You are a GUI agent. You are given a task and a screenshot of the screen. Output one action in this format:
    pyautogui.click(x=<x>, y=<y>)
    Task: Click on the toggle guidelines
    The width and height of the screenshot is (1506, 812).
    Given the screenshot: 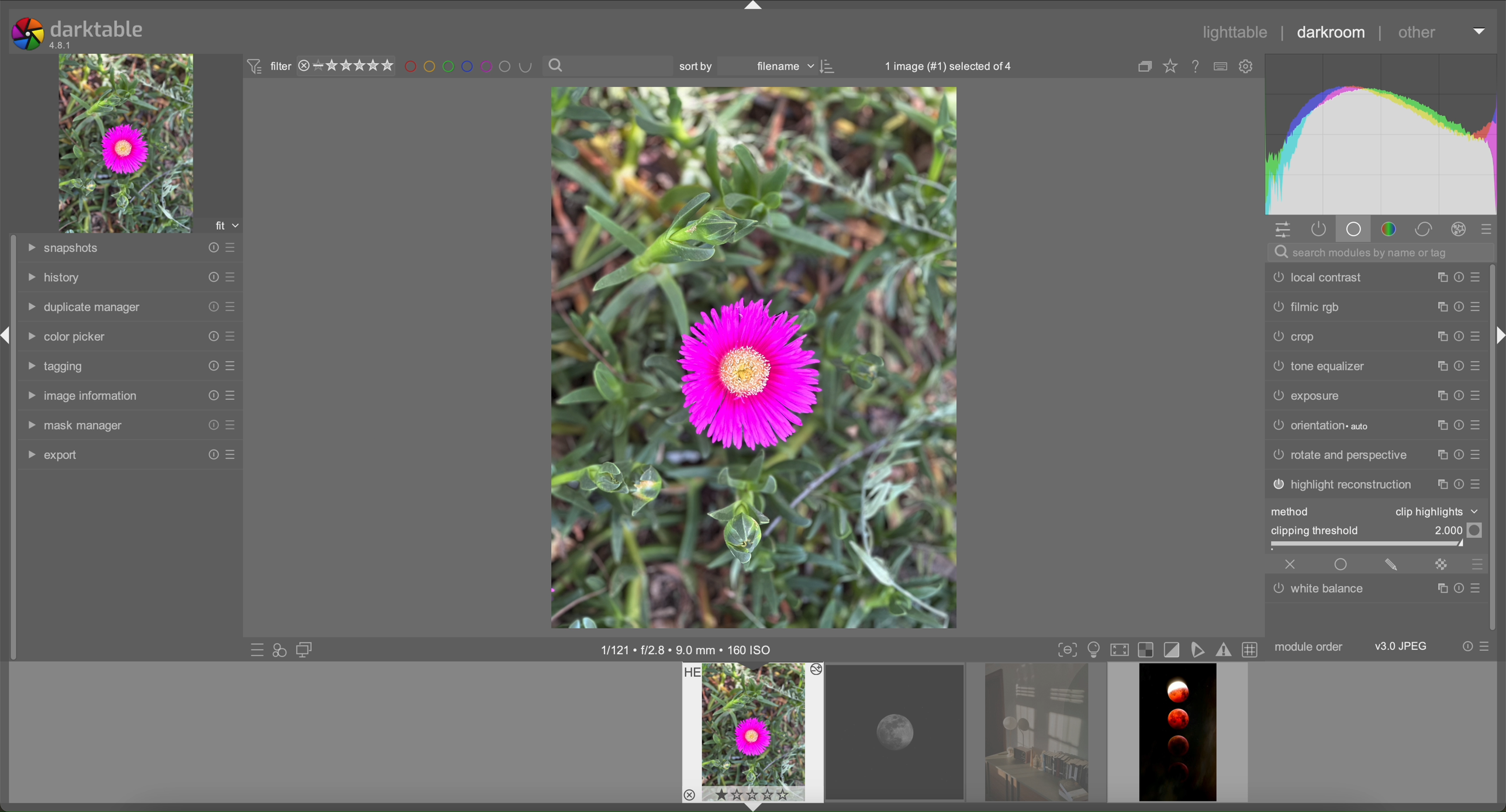 What is the action you would take?
    pyautogui.click(x=1253, y=651)
    